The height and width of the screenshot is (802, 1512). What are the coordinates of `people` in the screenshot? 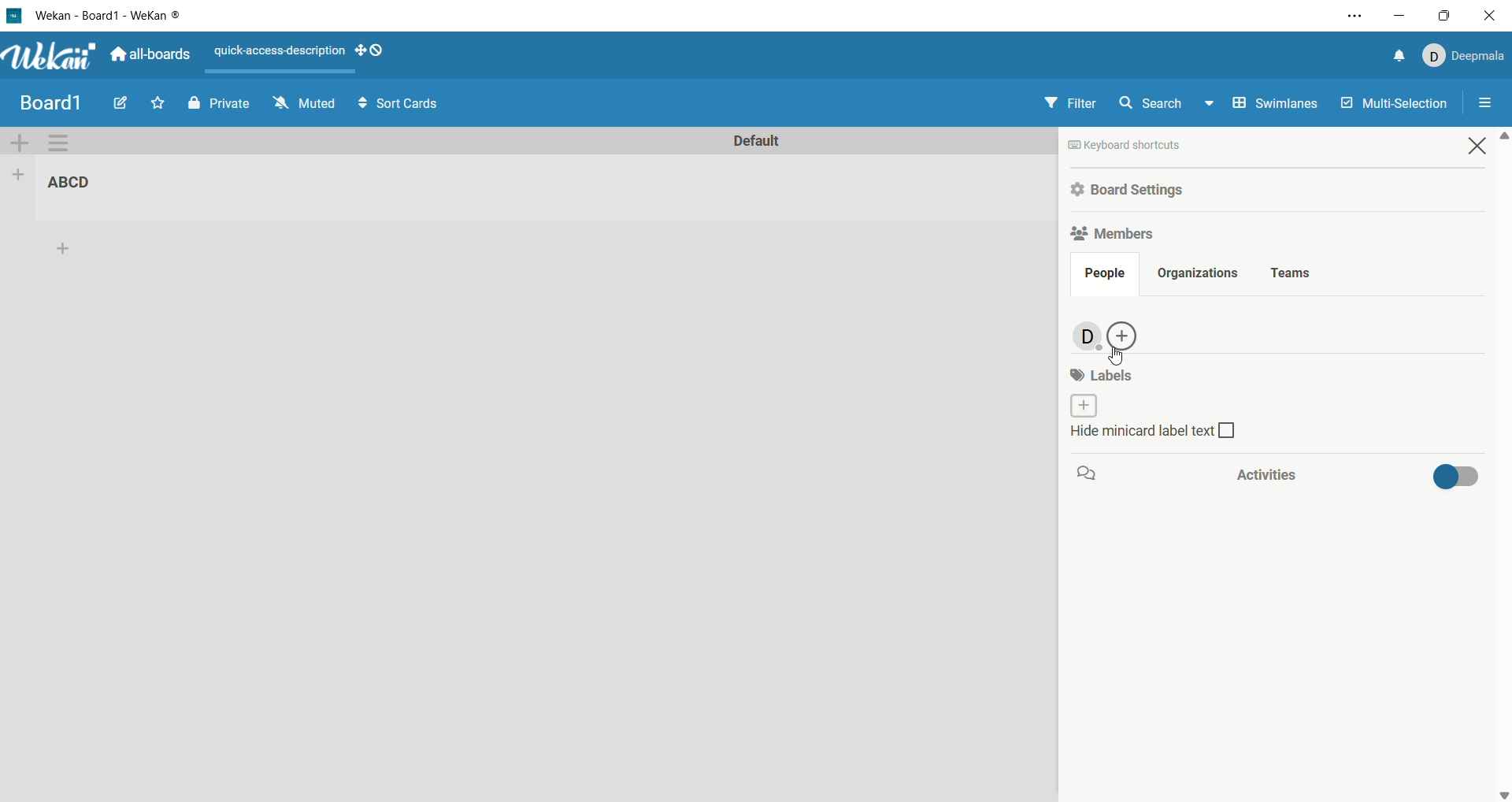 It's located at (1104, 276).